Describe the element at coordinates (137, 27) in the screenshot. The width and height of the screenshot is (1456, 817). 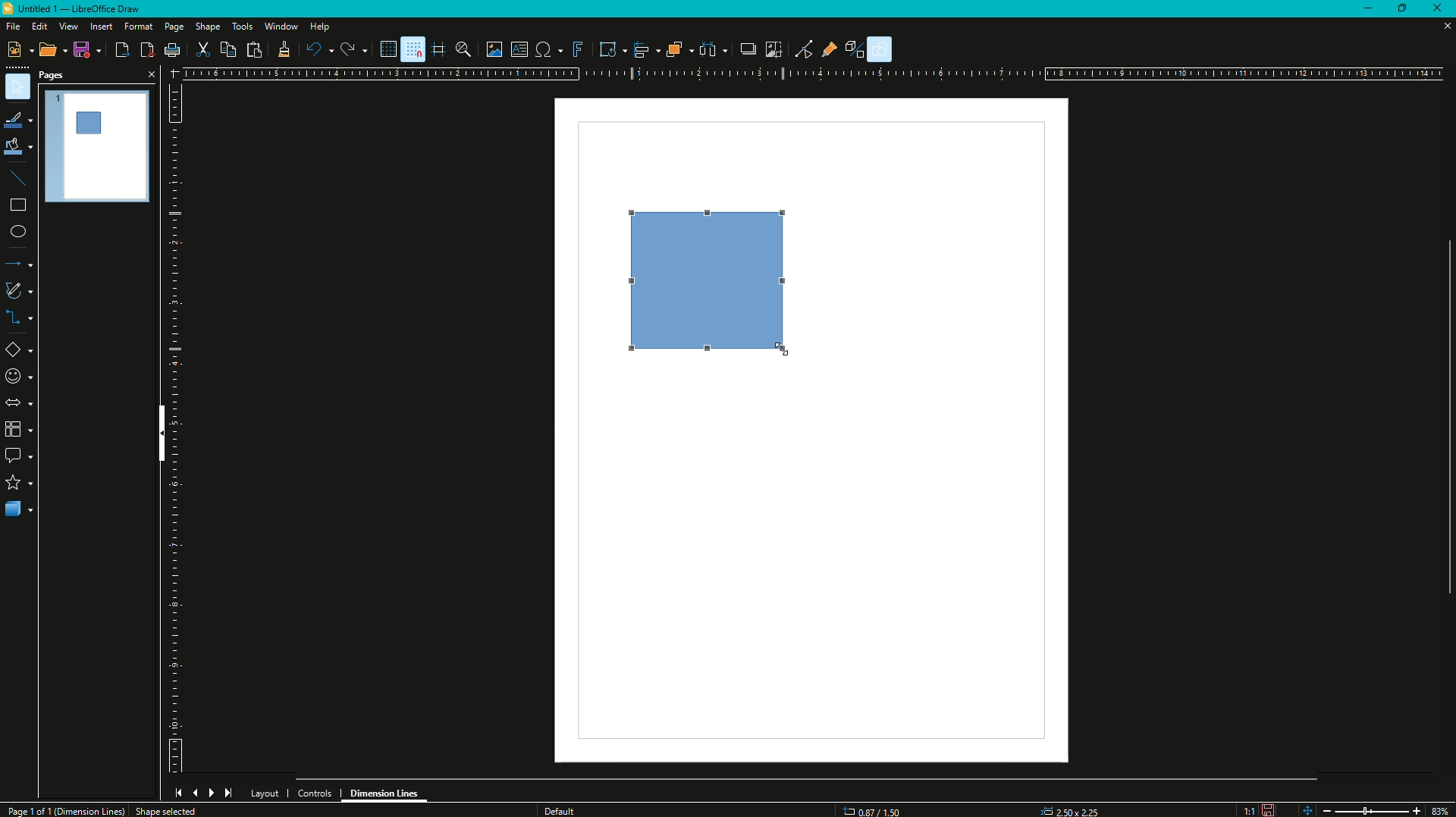
I see `Format` at that location.